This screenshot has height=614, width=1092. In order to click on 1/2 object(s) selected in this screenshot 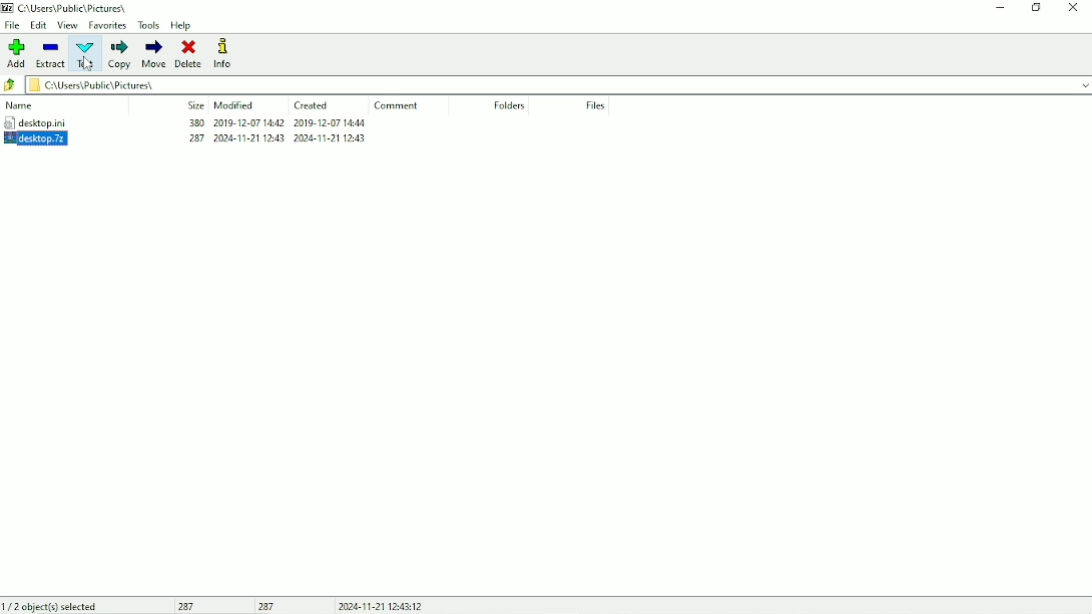, I will do `click(53, 606)`.